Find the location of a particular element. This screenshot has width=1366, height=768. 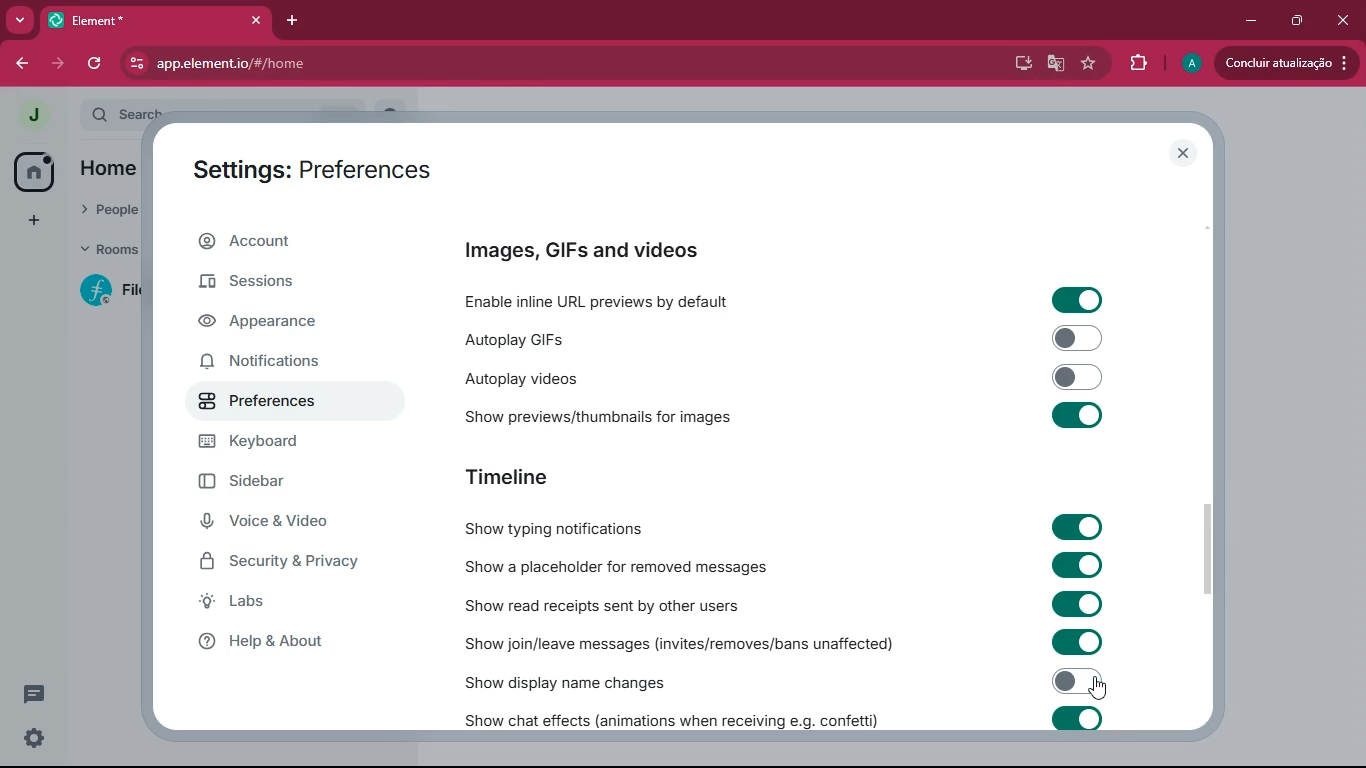

google translate is located at coordinates (1053, 65).